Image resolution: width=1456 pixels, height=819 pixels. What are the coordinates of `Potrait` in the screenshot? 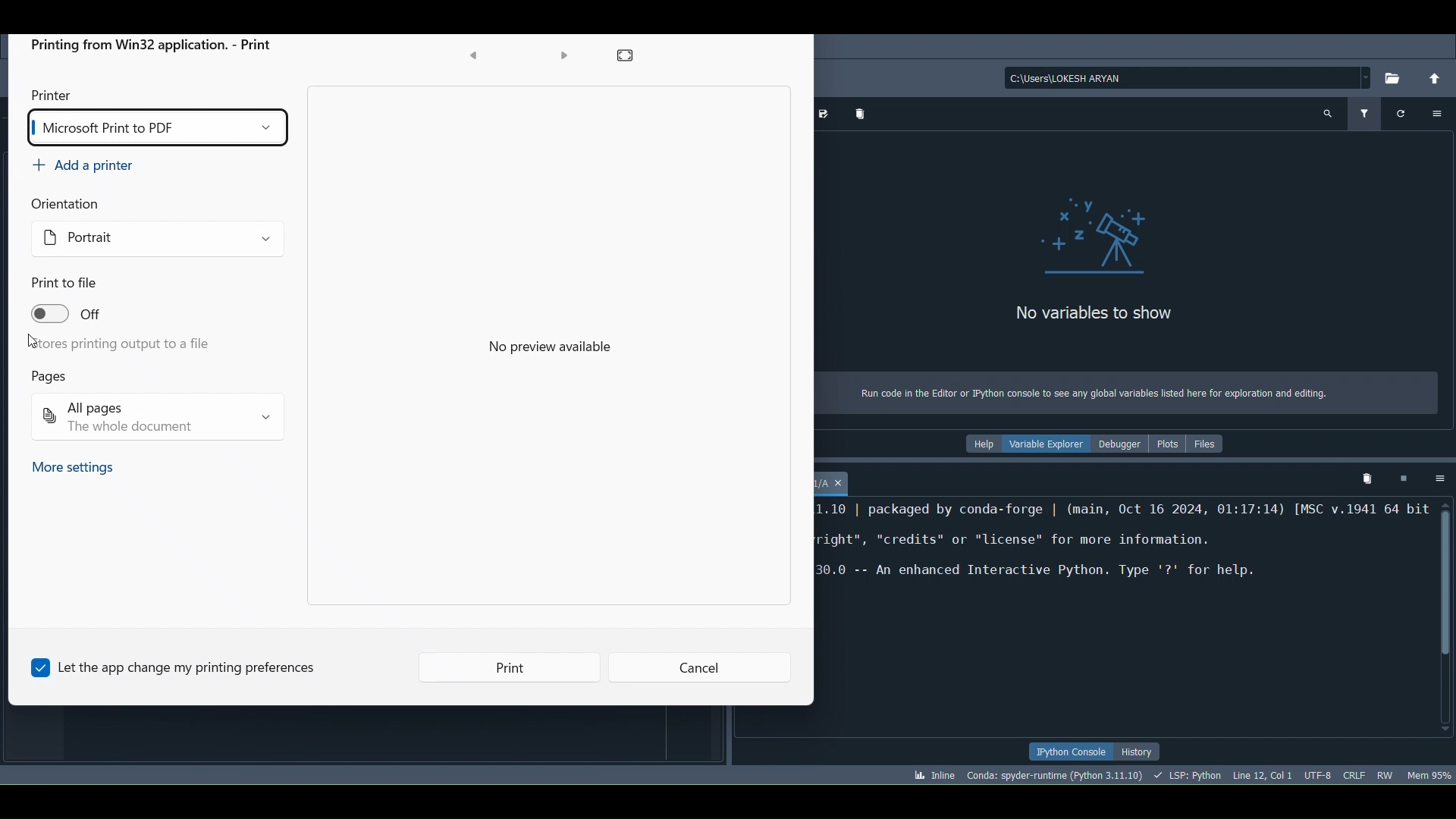 It's located at (67, 231).